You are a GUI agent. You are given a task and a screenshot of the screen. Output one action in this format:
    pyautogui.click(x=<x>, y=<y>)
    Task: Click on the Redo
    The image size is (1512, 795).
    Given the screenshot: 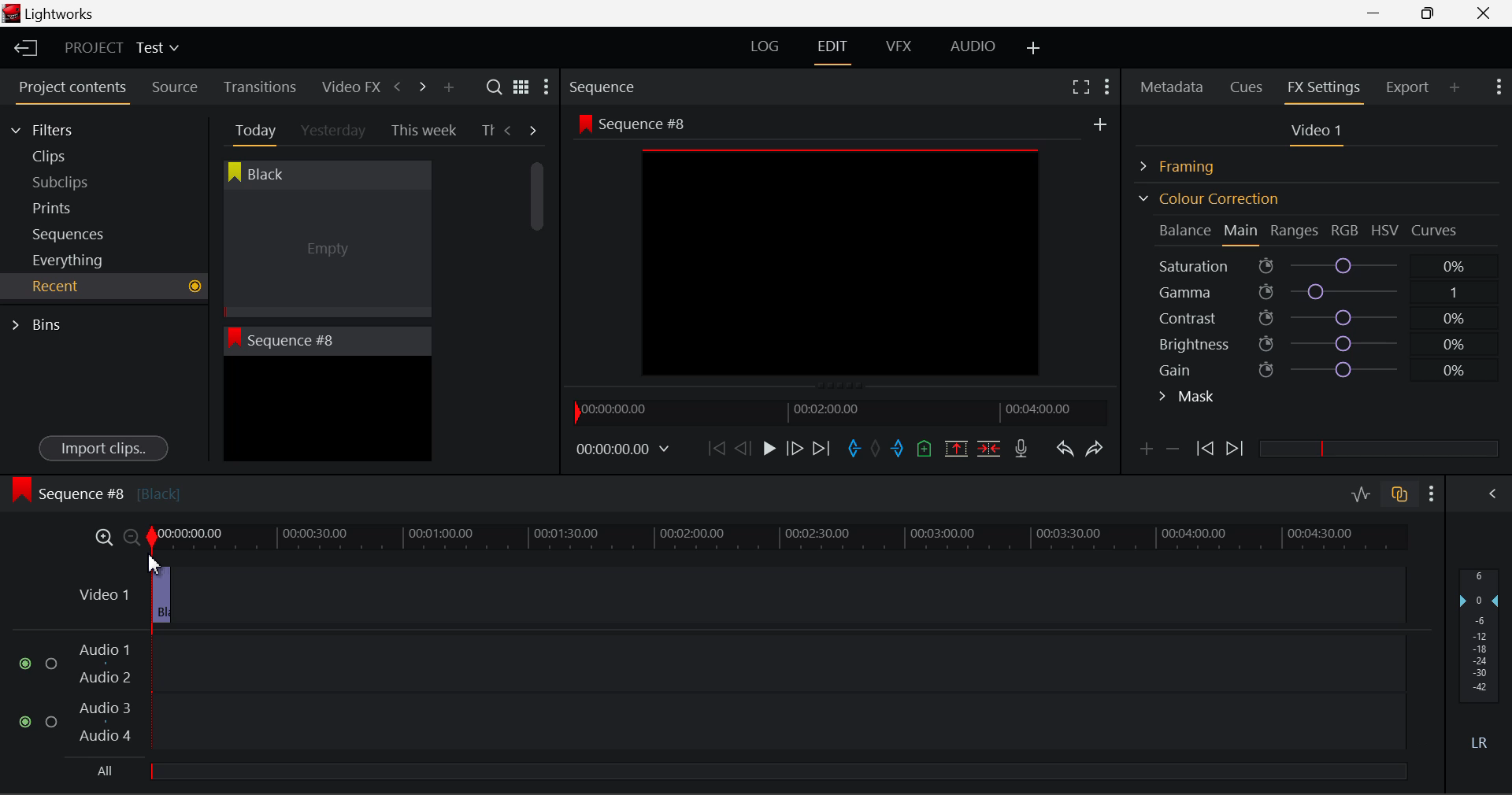 What is the action you would take?
    pyautogui.click(x=1095, y=448)
    